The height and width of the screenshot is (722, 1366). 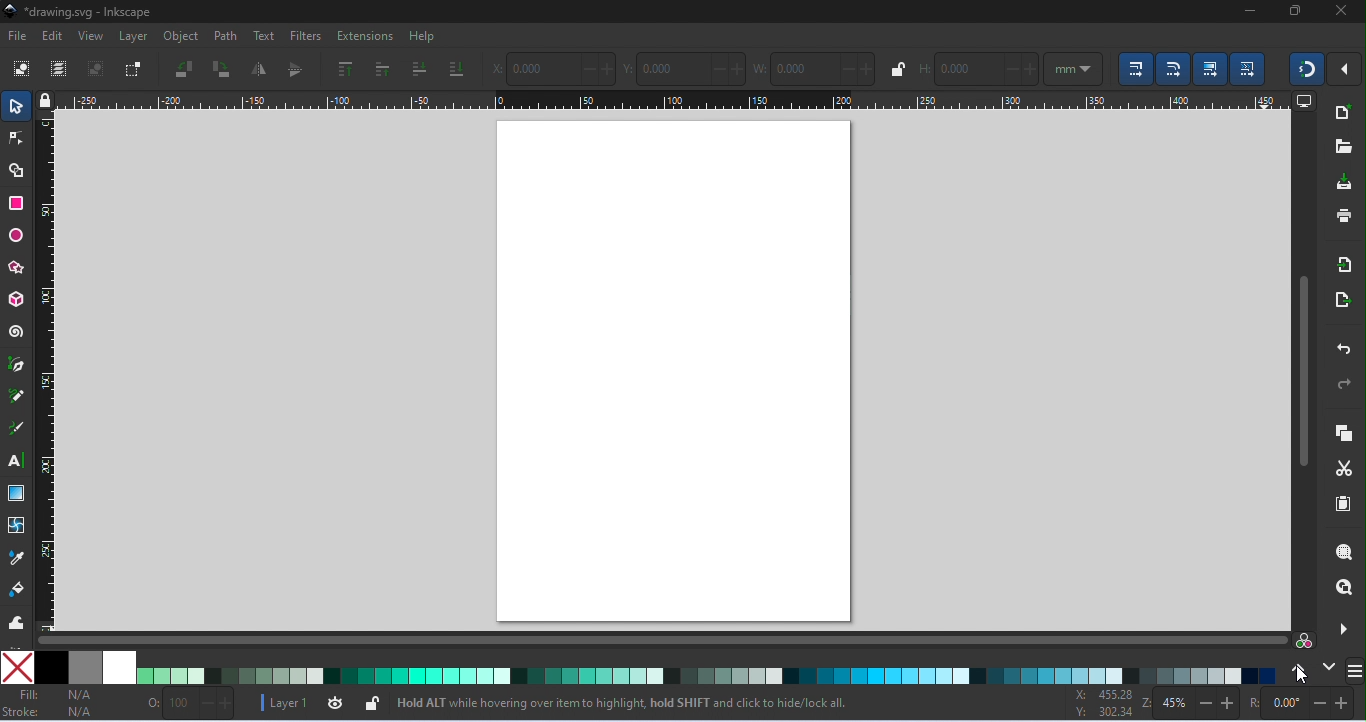 What do you see at coordinates (1342, 215) in the screenshot?
I see `print` at bounding box center [1342, 215].